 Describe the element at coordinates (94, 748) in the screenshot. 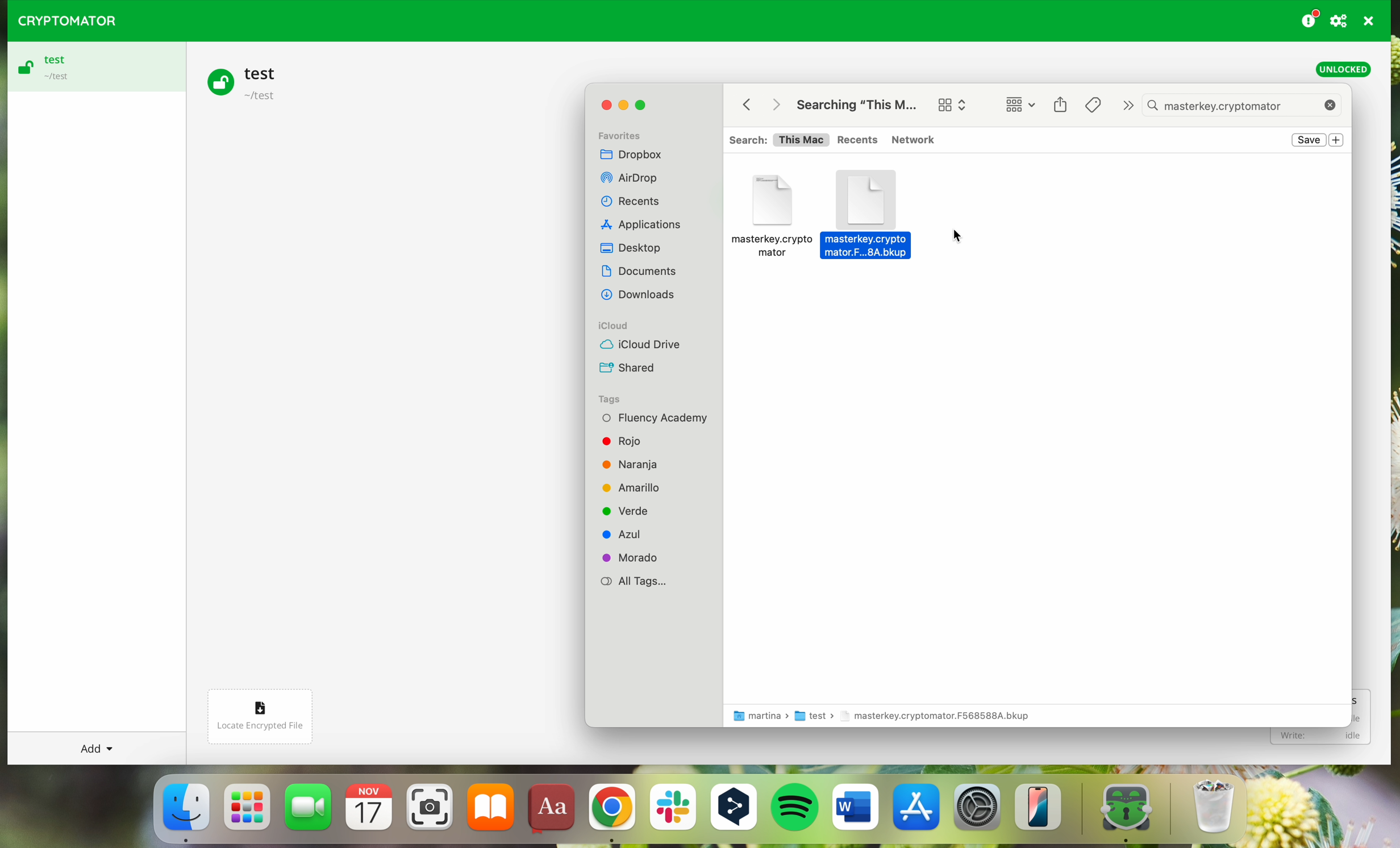

I see `add button` at that location.